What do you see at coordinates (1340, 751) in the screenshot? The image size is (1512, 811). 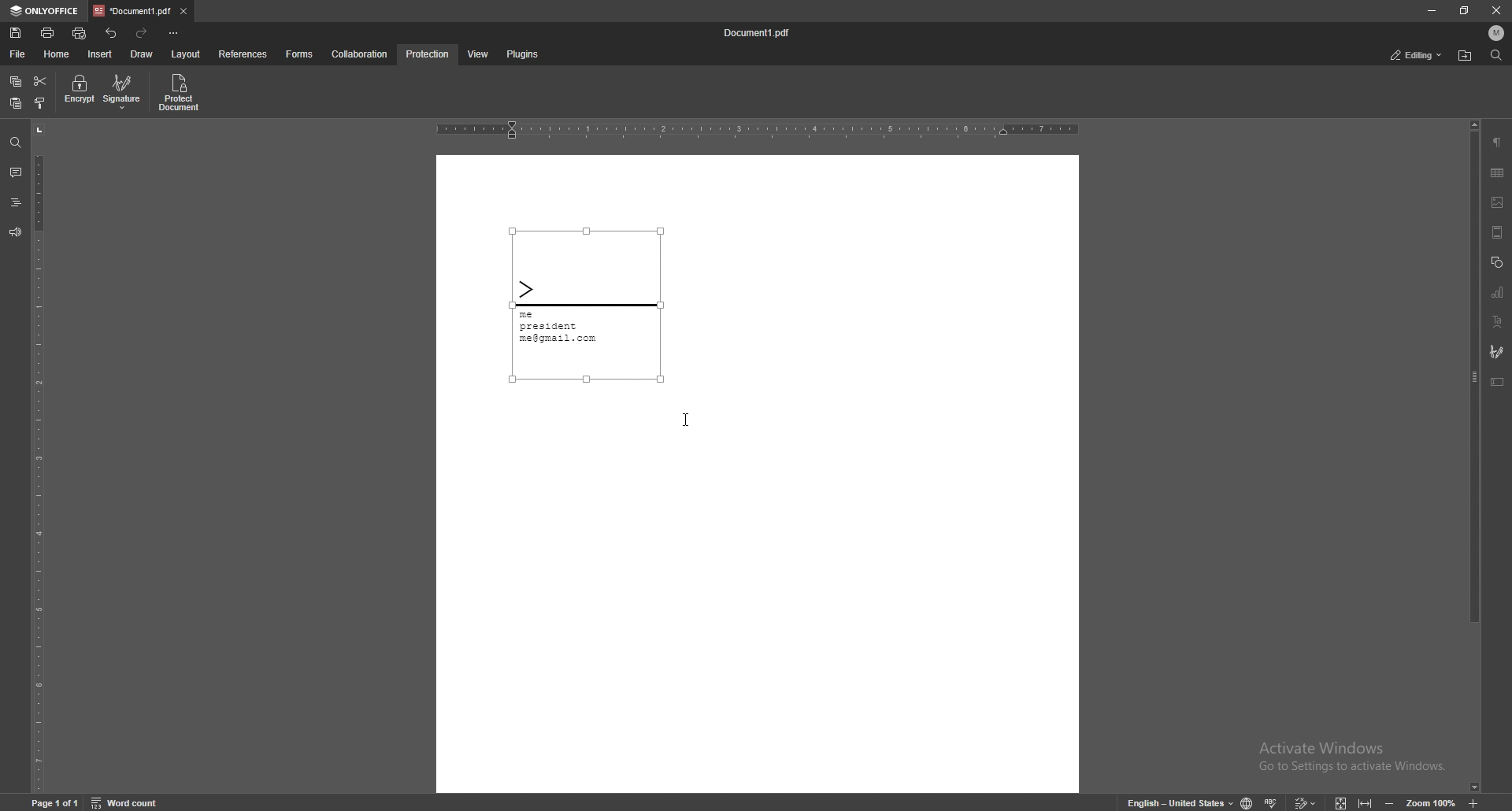 I see `Activate windows` at bounding box center [1340, 751].